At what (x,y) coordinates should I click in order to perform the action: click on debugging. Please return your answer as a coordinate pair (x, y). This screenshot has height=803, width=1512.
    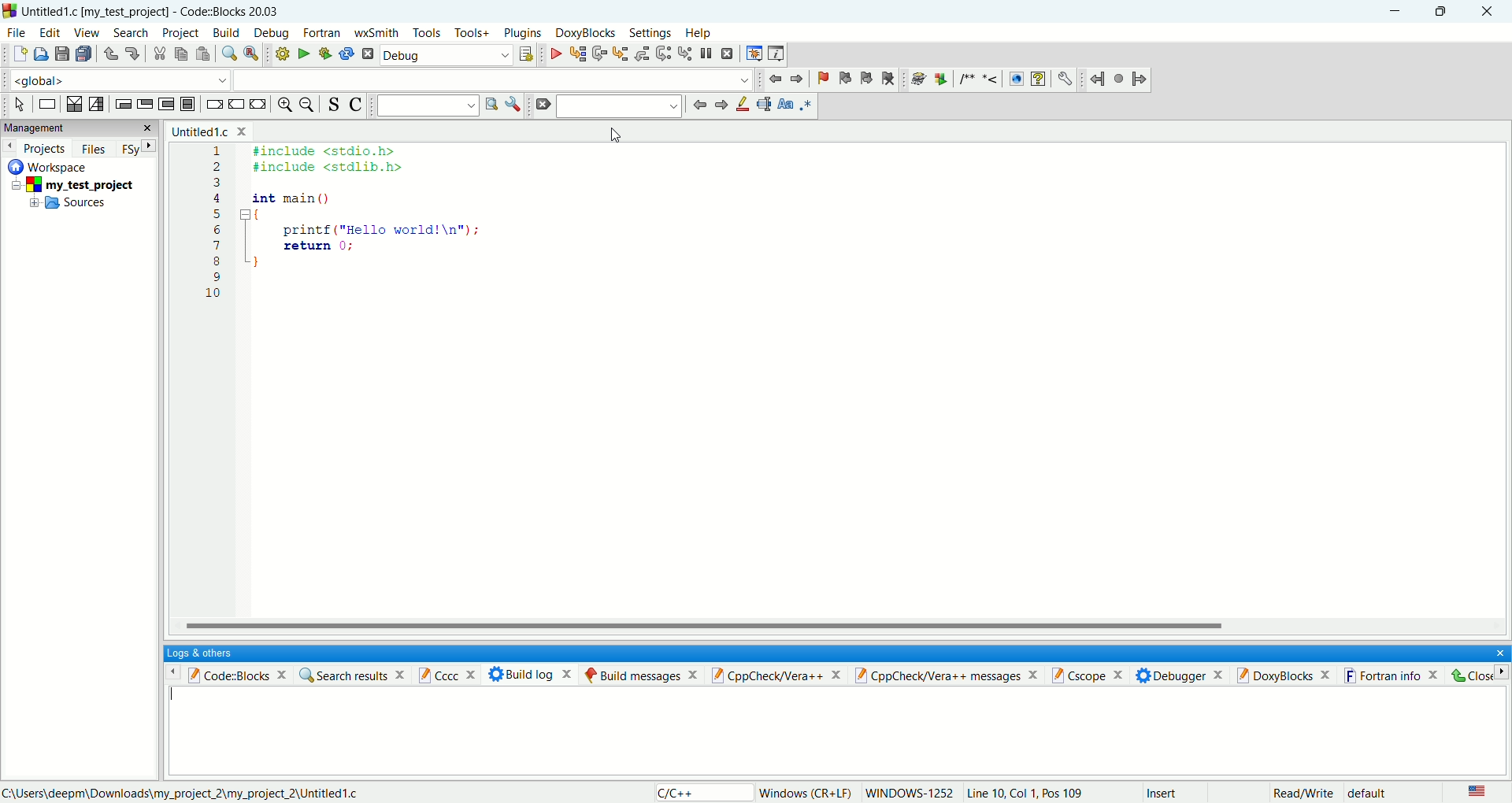
    Looking at the image, I should click on (753, 53).